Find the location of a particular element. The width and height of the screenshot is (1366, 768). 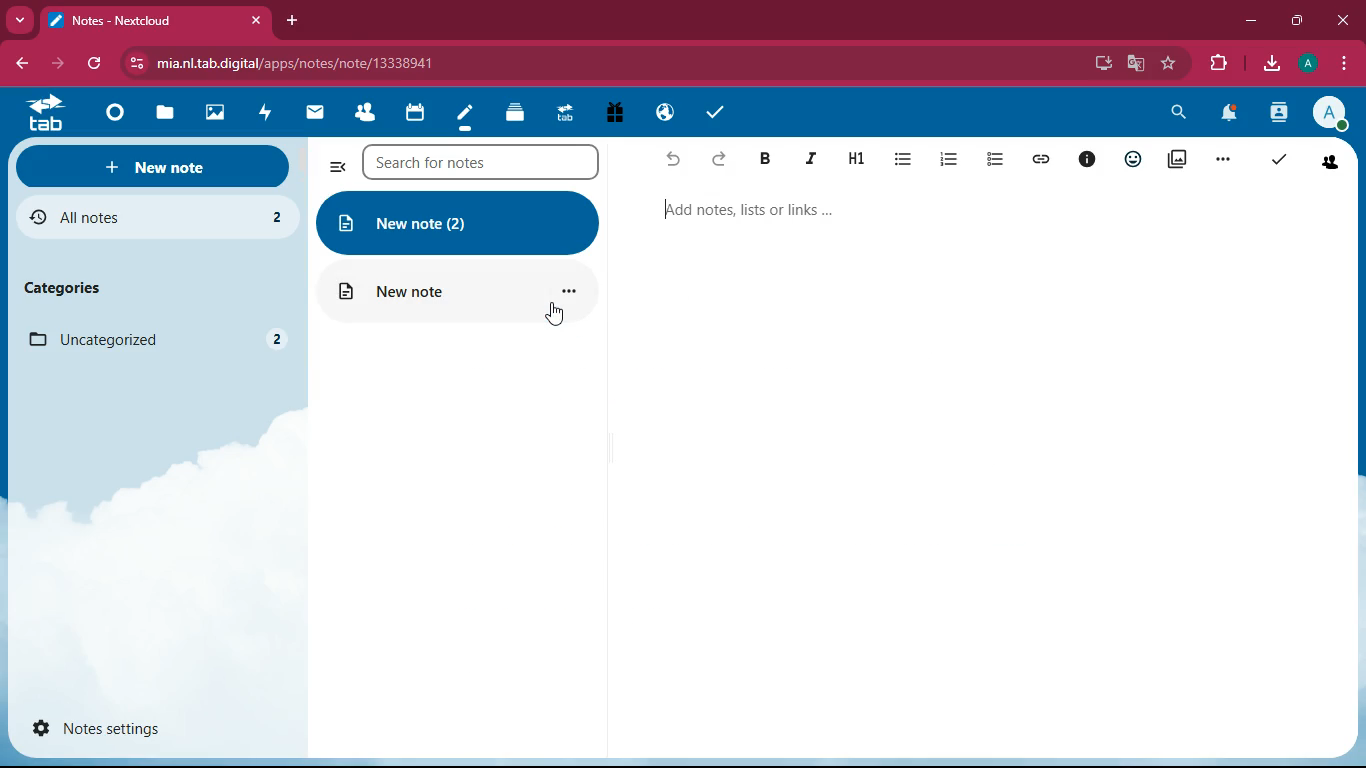

forward is located at coordinates (59, 63).